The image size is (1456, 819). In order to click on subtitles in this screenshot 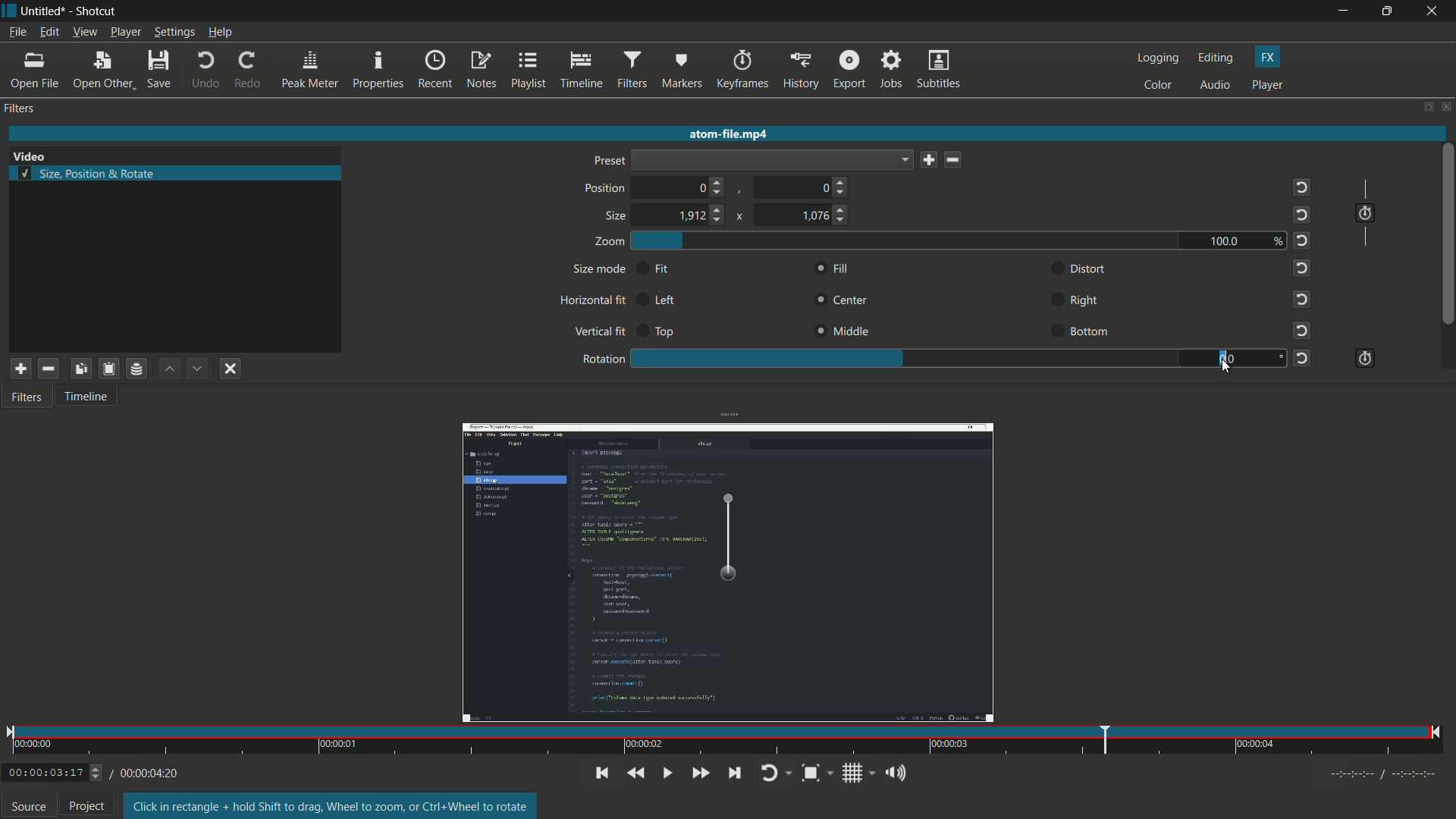, I will do `click(941, 70)`.